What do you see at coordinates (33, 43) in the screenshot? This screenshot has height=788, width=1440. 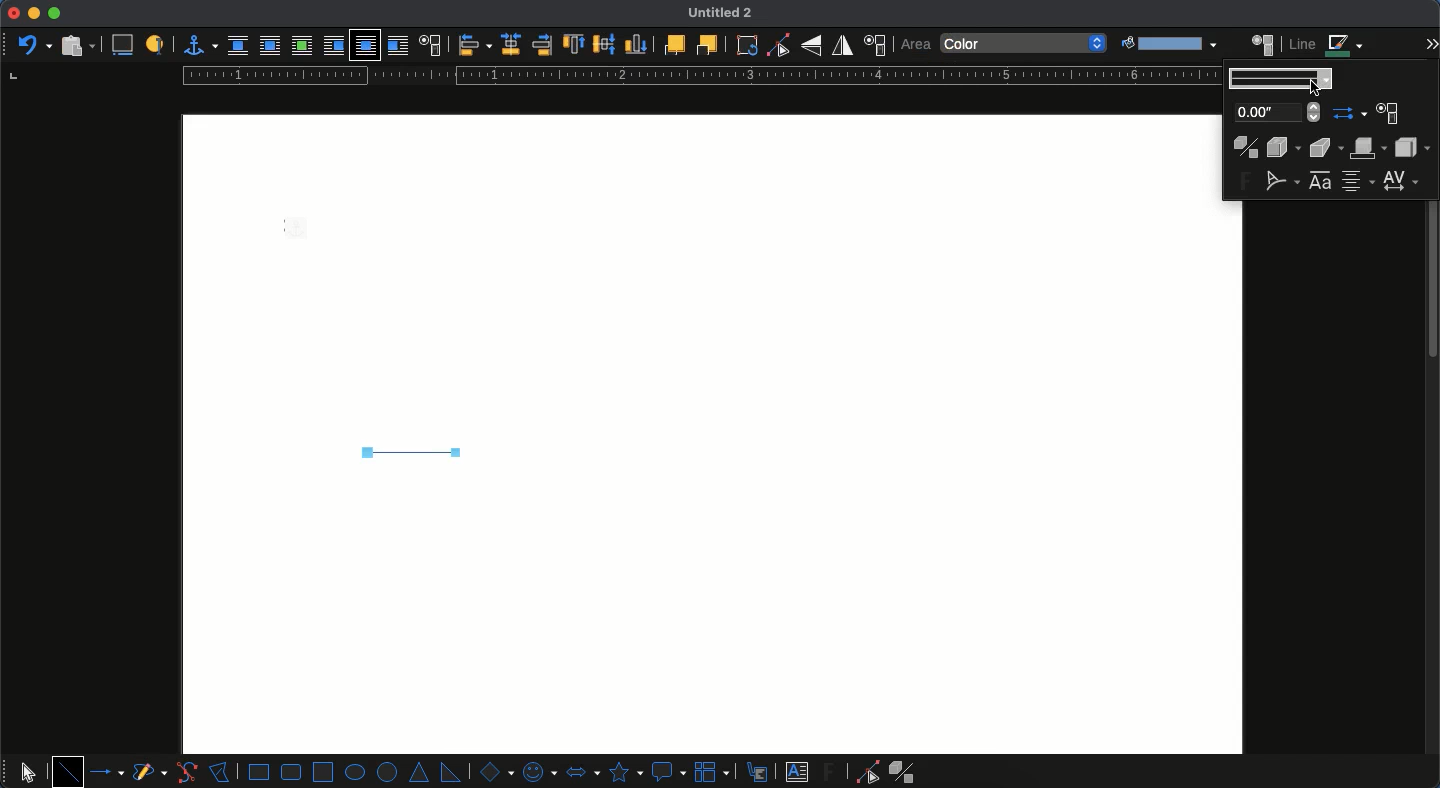 I see `undo` at bounding box center [33, 43].